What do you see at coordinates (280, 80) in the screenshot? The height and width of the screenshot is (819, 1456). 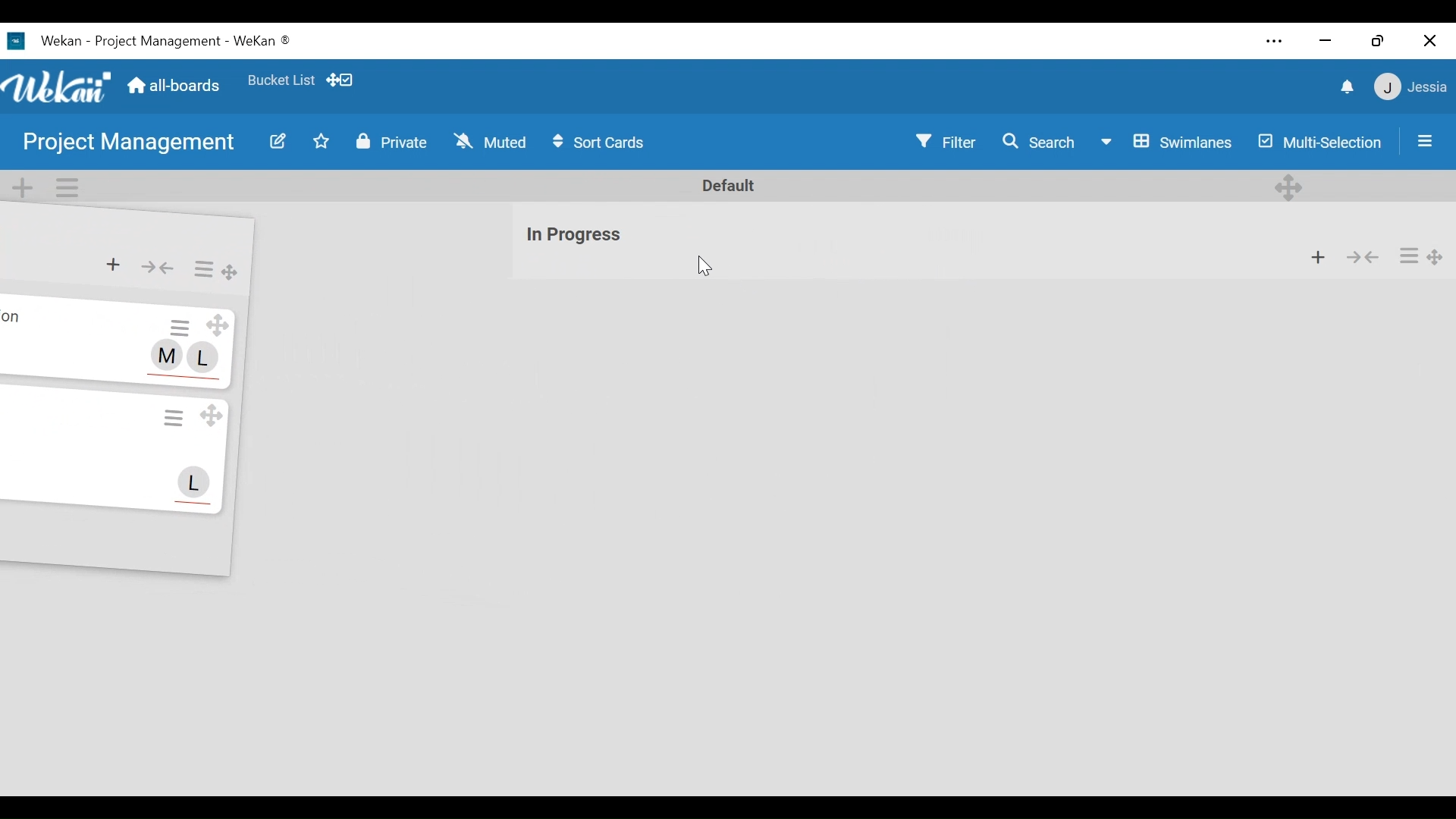 I see `Favorite` at bounding box center [280, 80].